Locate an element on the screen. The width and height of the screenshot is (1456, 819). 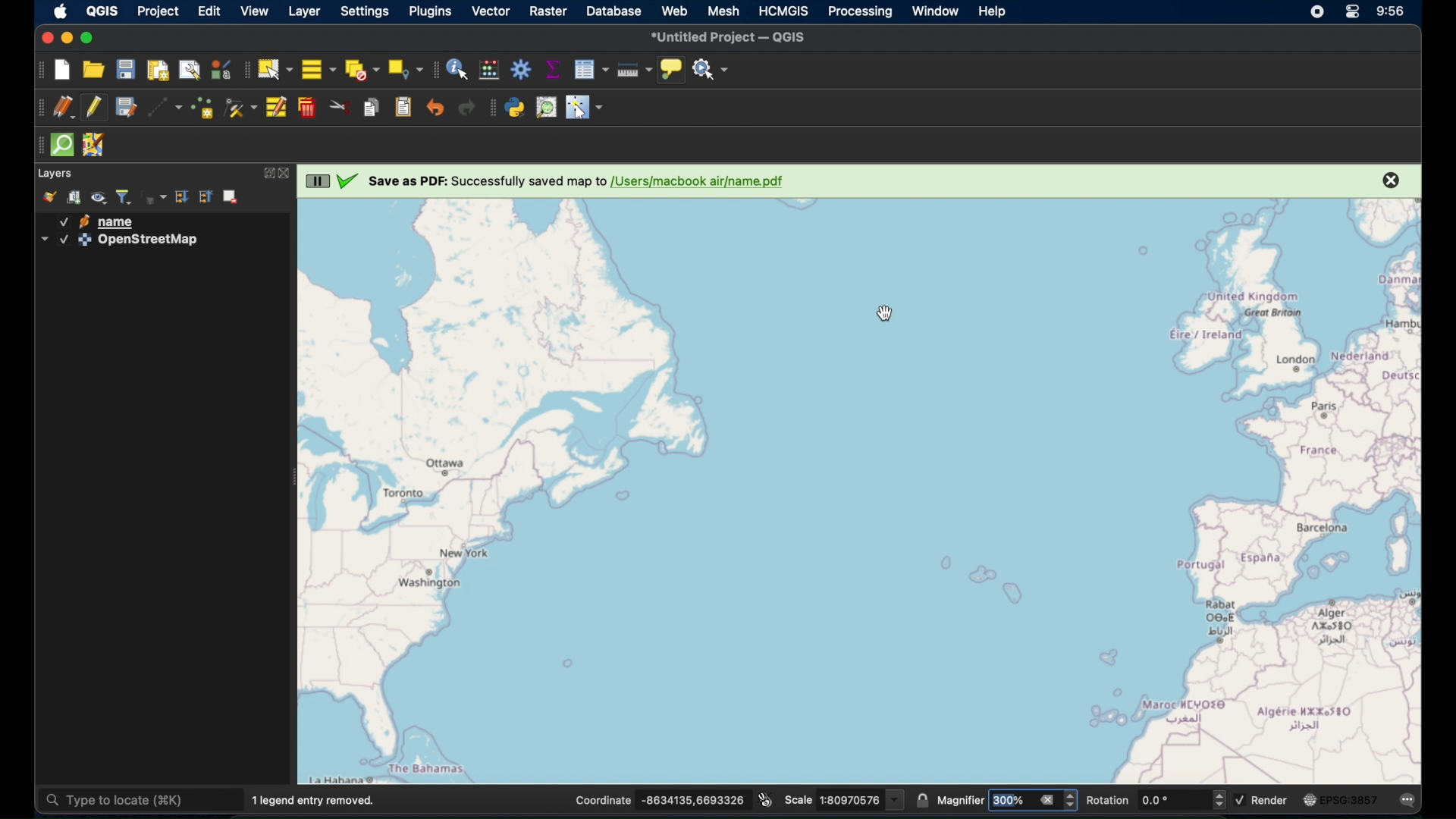
open project is located at coordinates (93, 71).